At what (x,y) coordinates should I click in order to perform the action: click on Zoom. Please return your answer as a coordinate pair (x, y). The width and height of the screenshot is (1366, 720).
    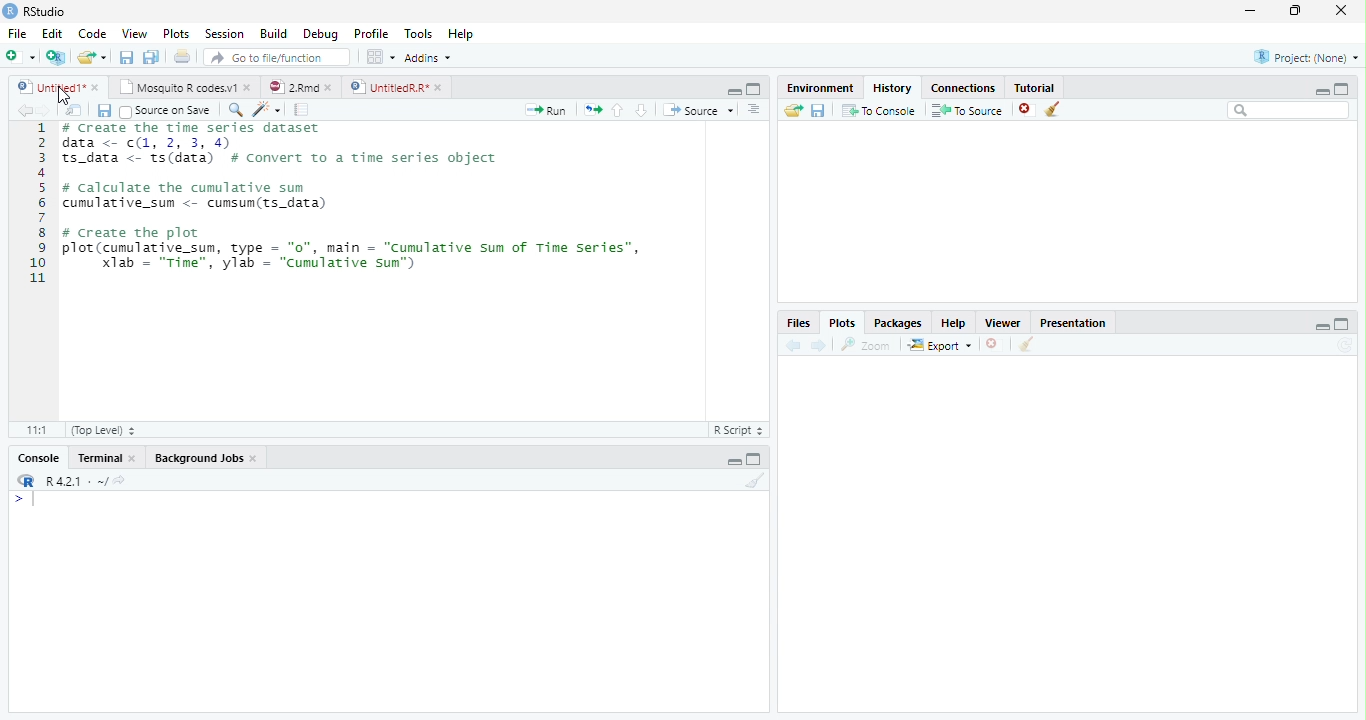
    Looking at the image, I should click on (866, 345).